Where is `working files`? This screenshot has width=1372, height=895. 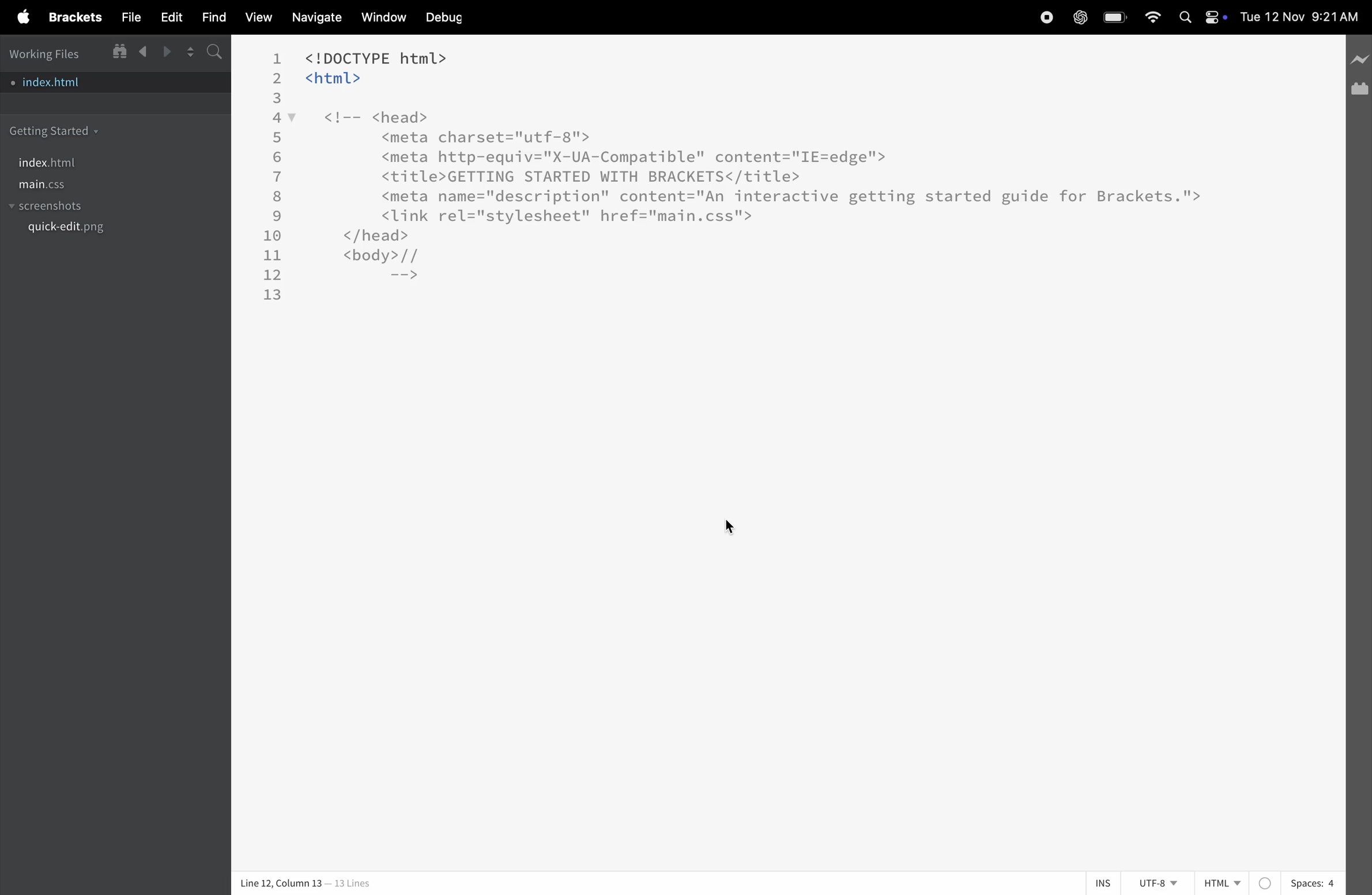 working files is located at coordinates (51, 52).